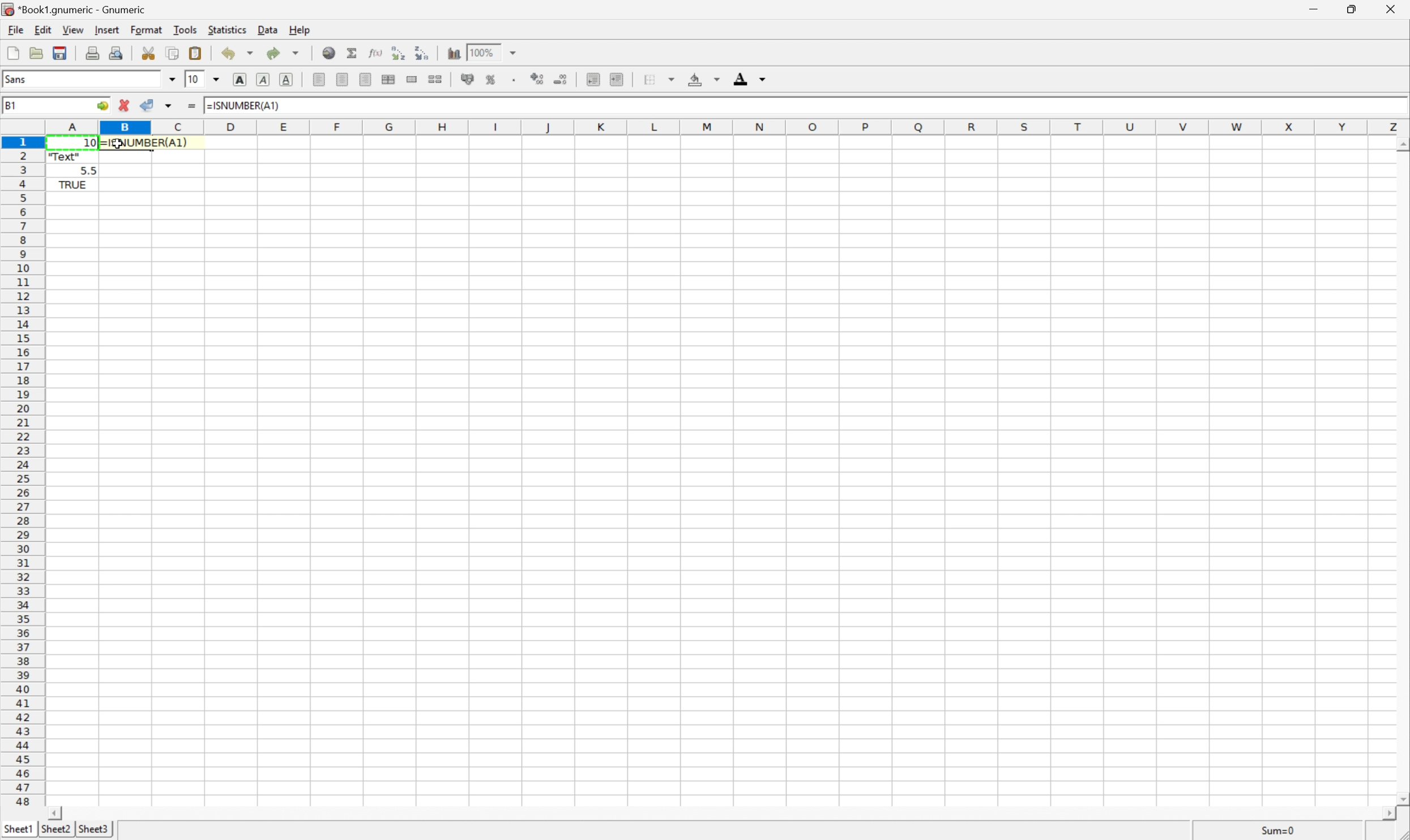  I want to click on Edit, so click(42, 29).